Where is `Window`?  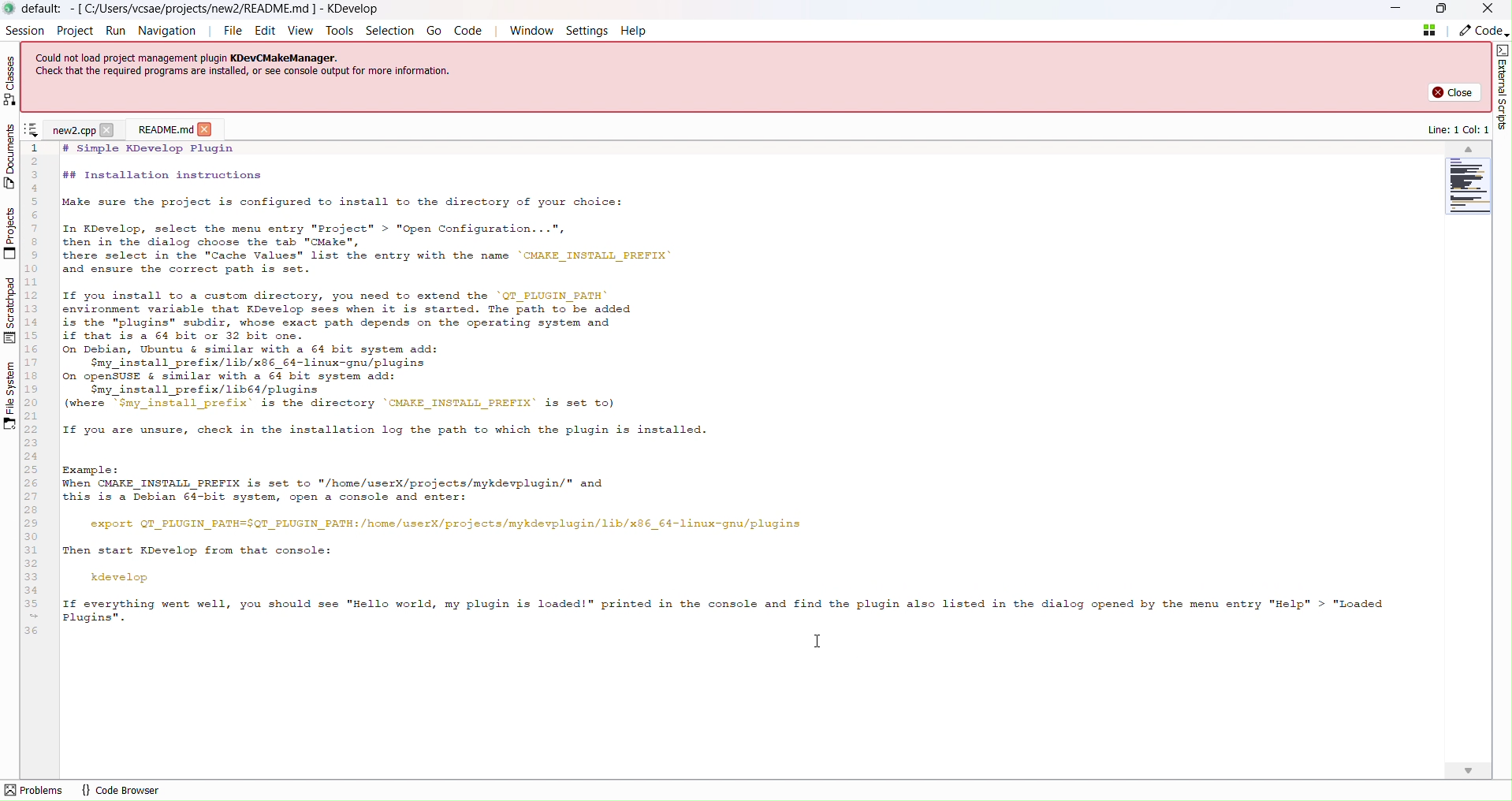 Window is located at coordinates (533, 30).